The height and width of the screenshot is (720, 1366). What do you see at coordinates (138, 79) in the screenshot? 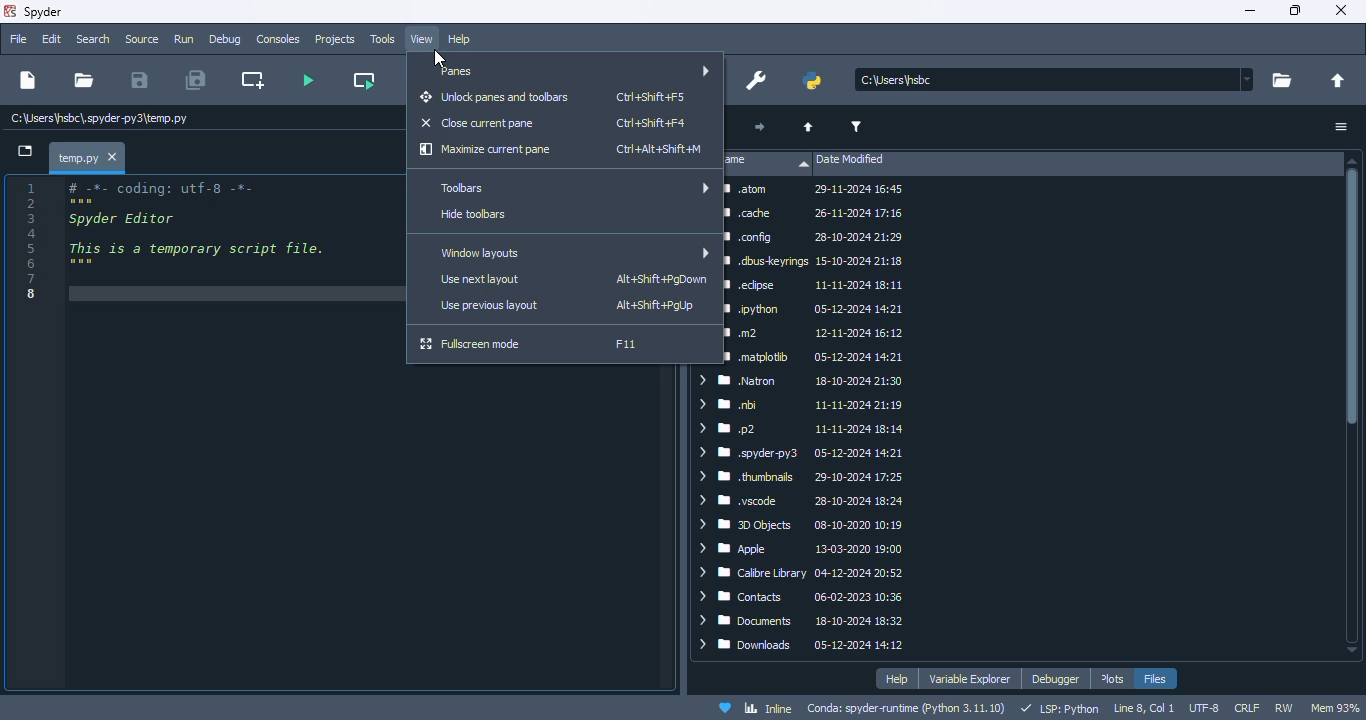
I see `save file` at bounding box center [138, 79].